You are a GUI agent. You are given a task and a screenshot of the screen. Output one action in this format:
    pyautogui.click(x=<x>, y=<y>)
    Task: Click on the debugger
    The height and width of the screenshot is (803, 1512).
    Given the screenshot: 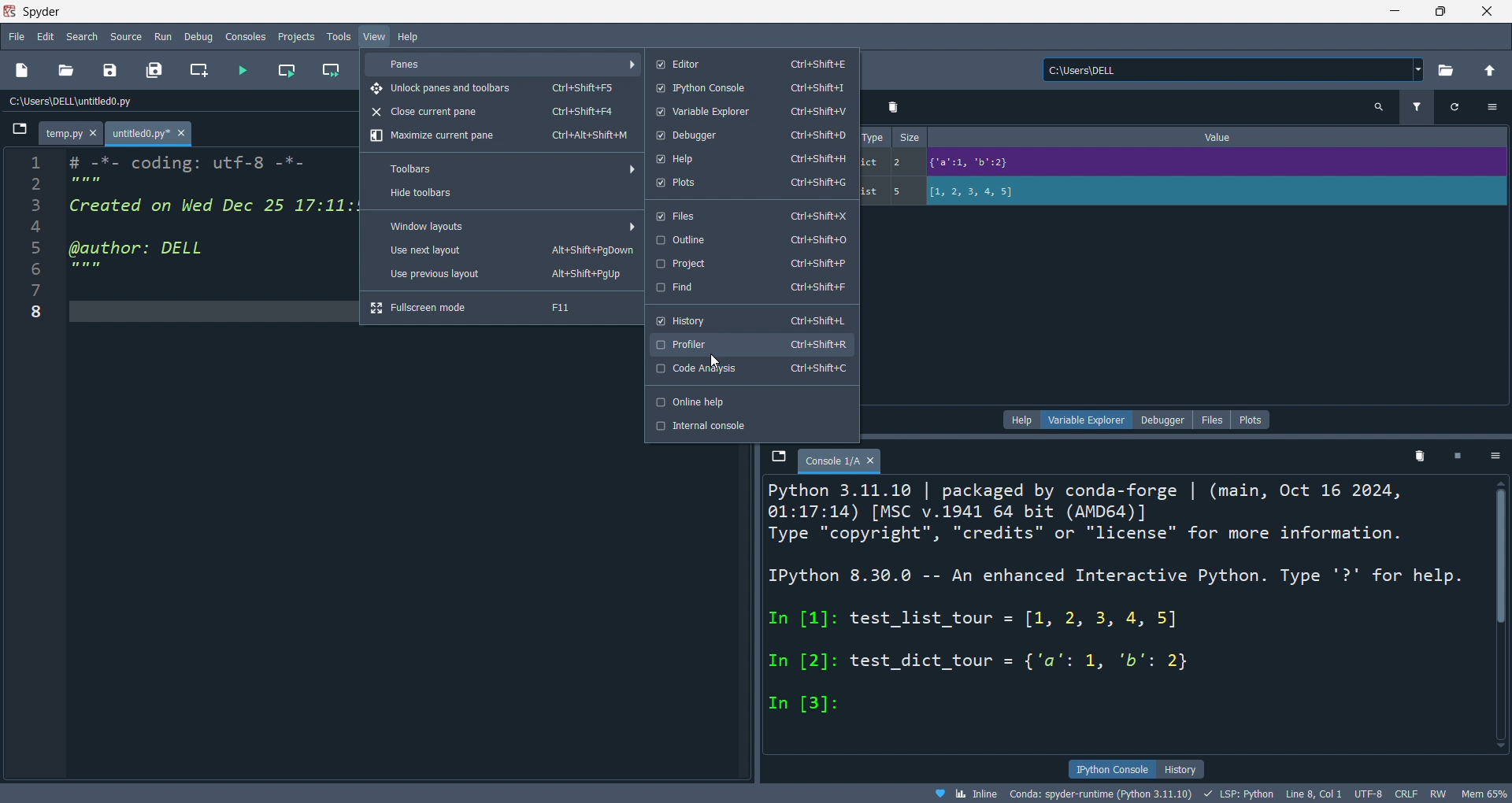 What is the action you would take?
    pyautogui.click(x=755, y=135)
    